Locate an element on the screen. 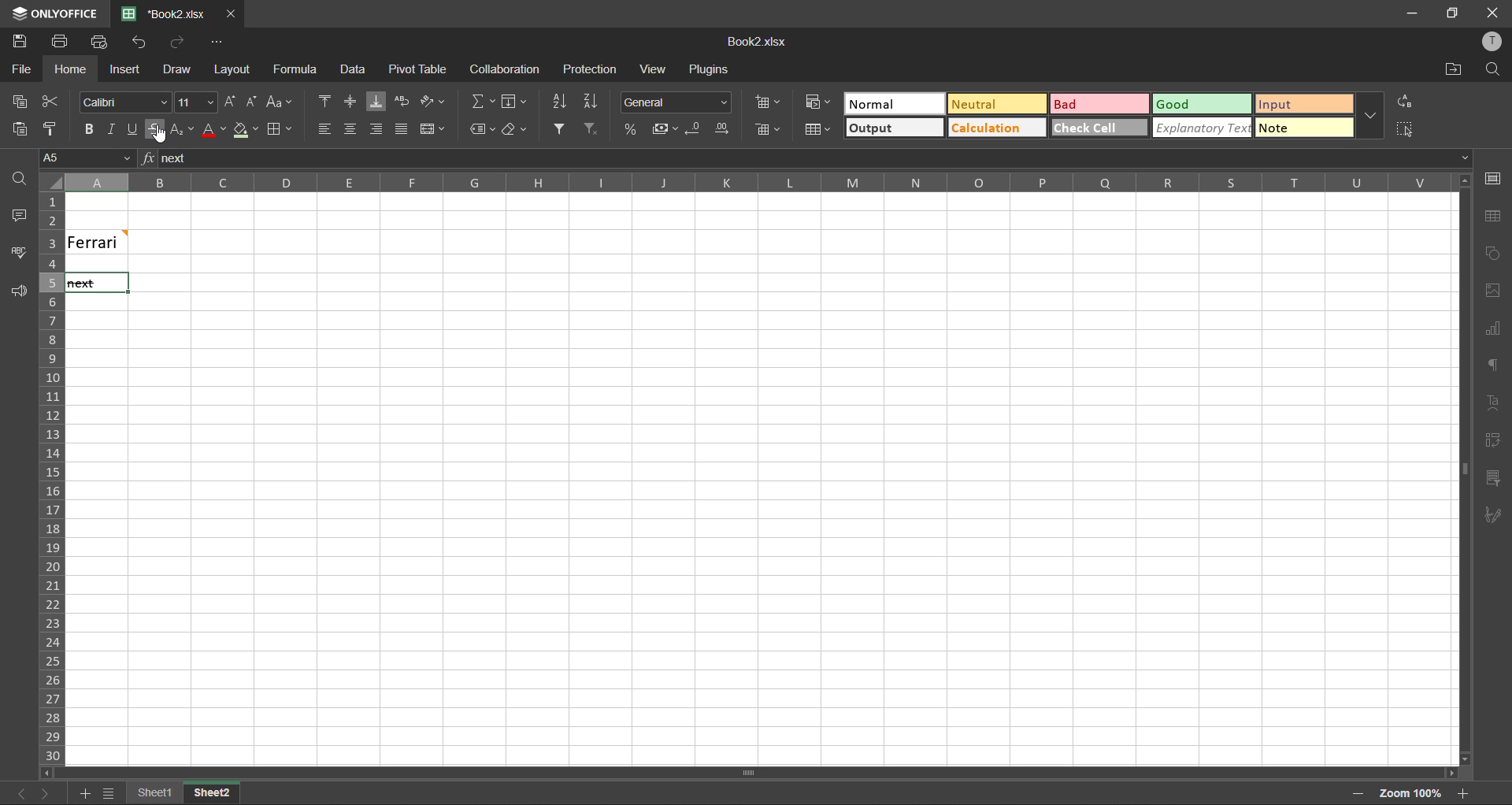 This screenshot has width=1512, height=805. slicer is located at coordinates (1496, 479).